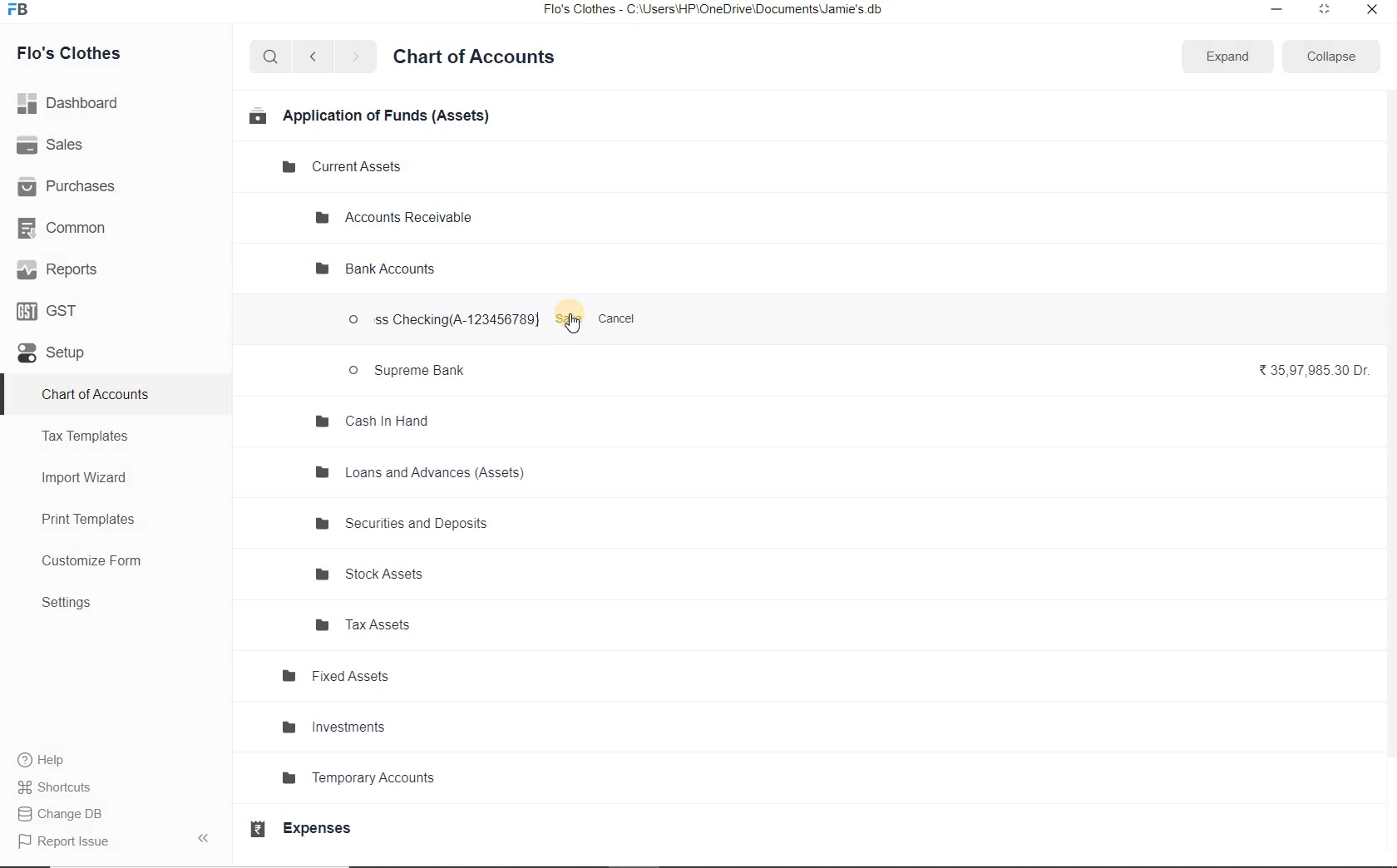  I want to click on Frappe Books logo, so click(22, 12).